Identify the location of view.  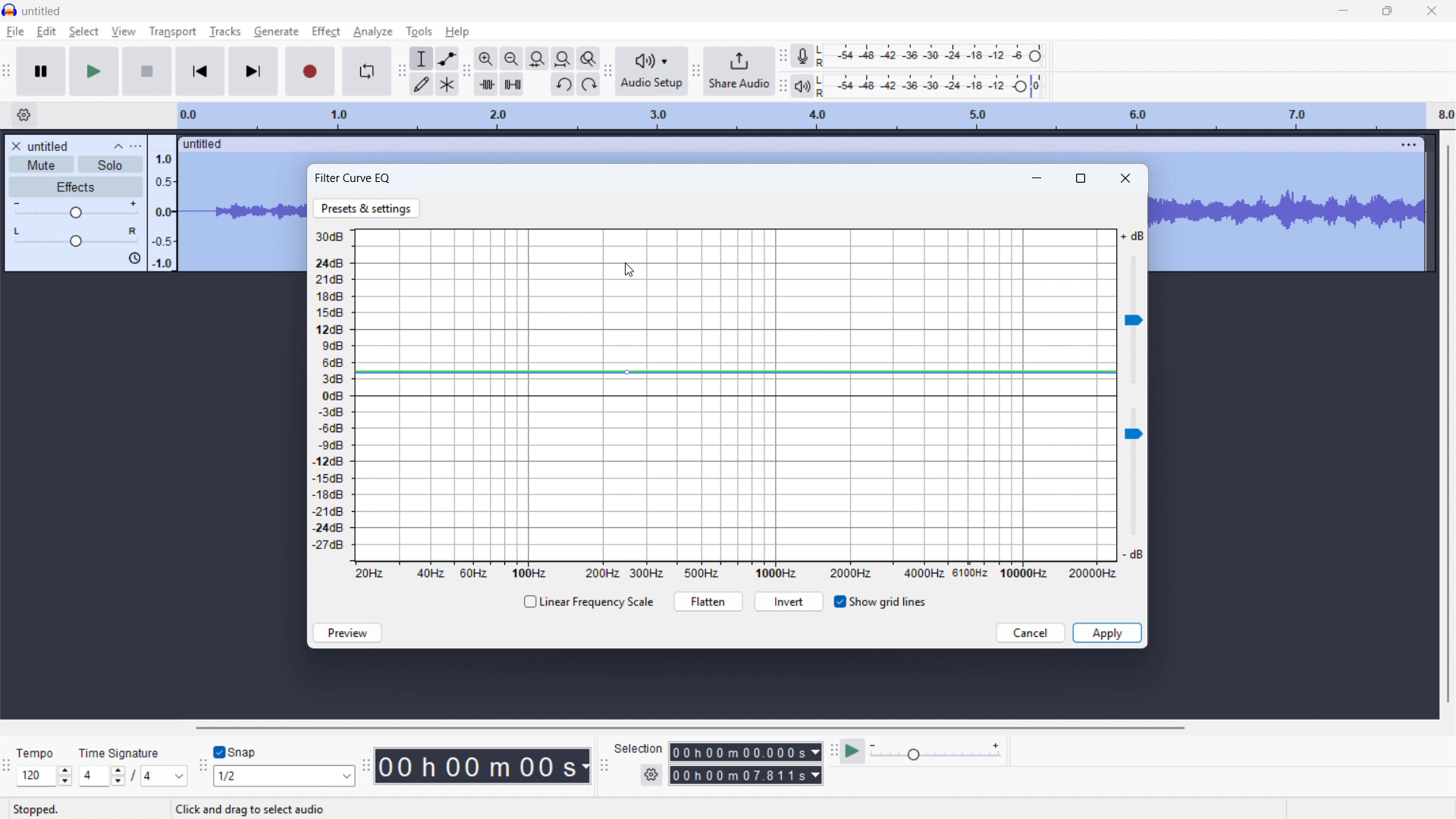
(124, 31).